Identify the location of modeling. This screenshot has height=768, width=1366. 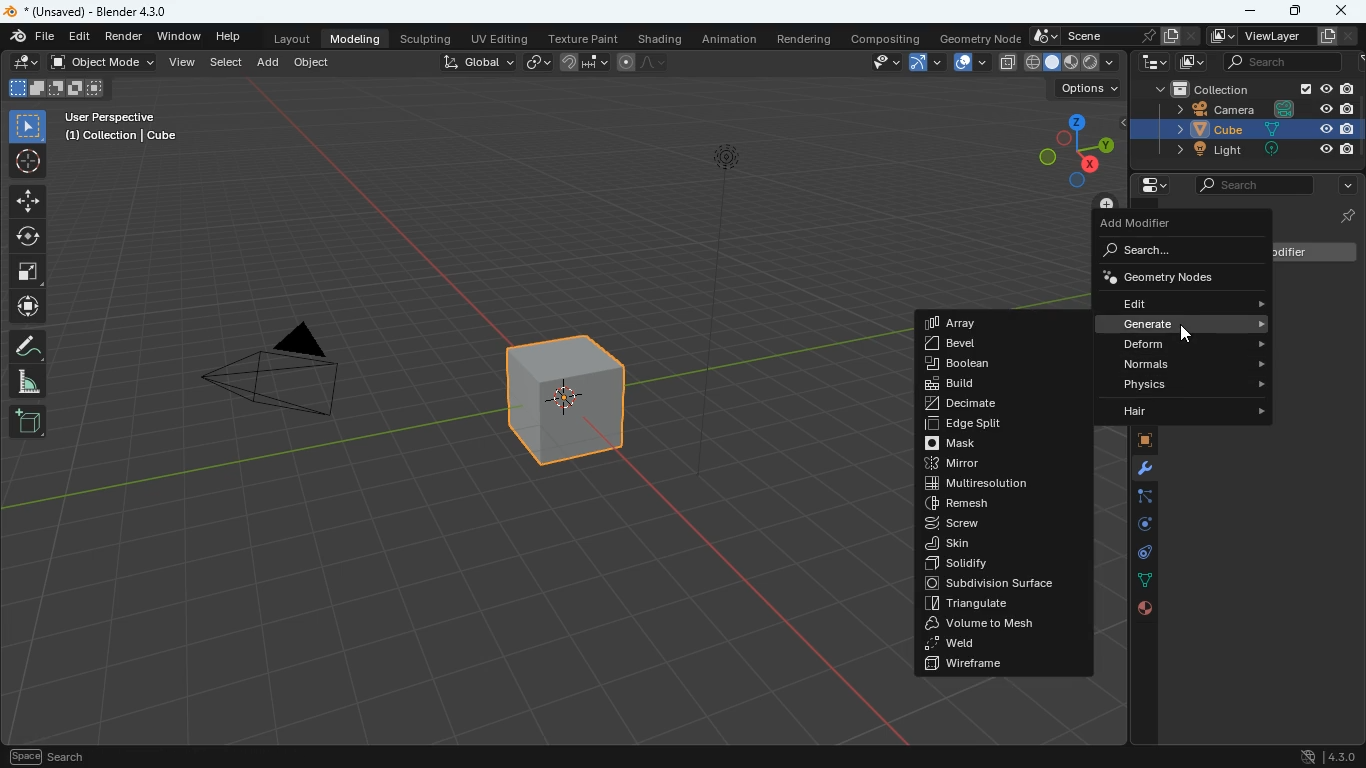
(359, 39).